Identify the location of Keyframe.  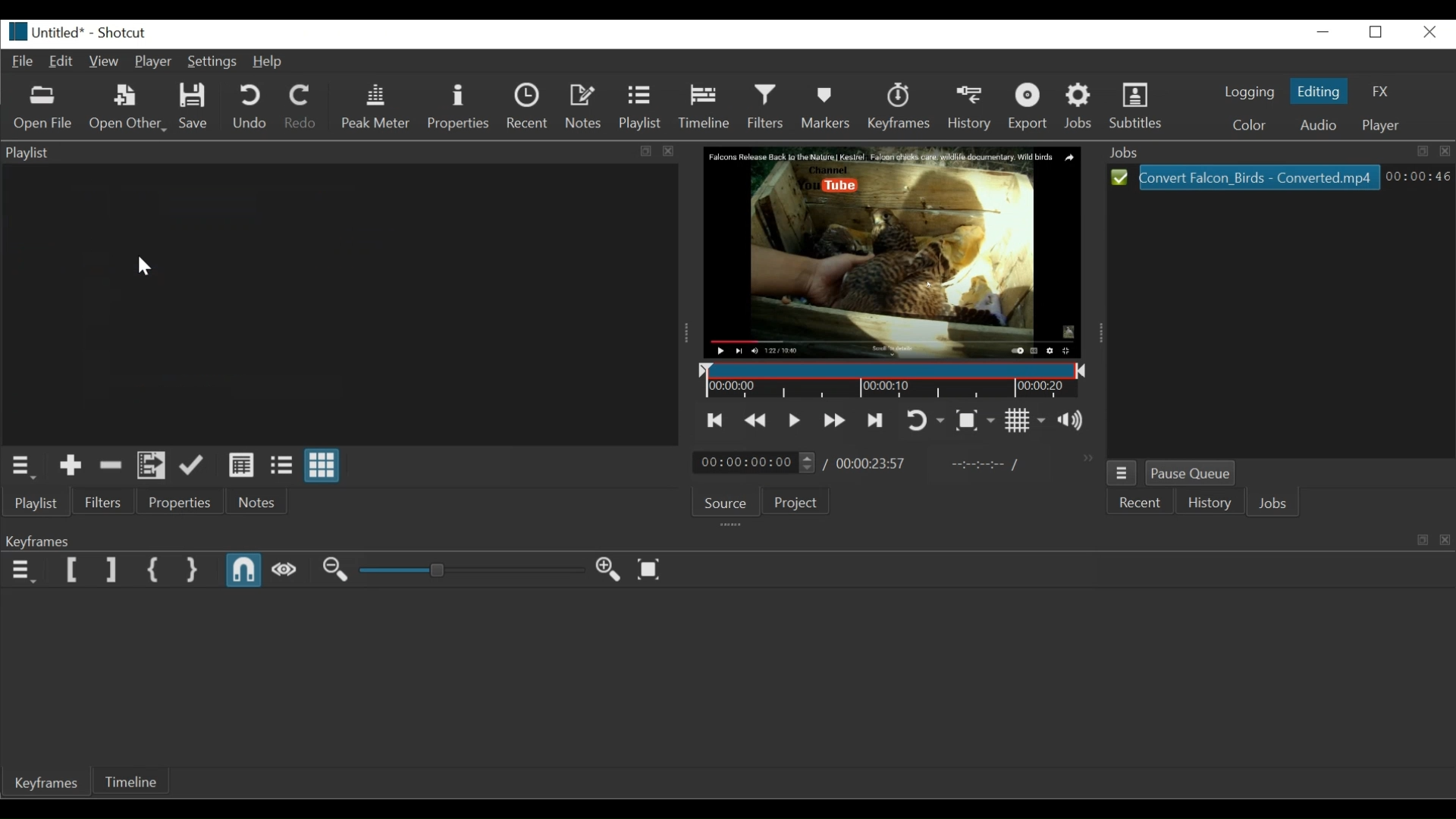
(48, 786).